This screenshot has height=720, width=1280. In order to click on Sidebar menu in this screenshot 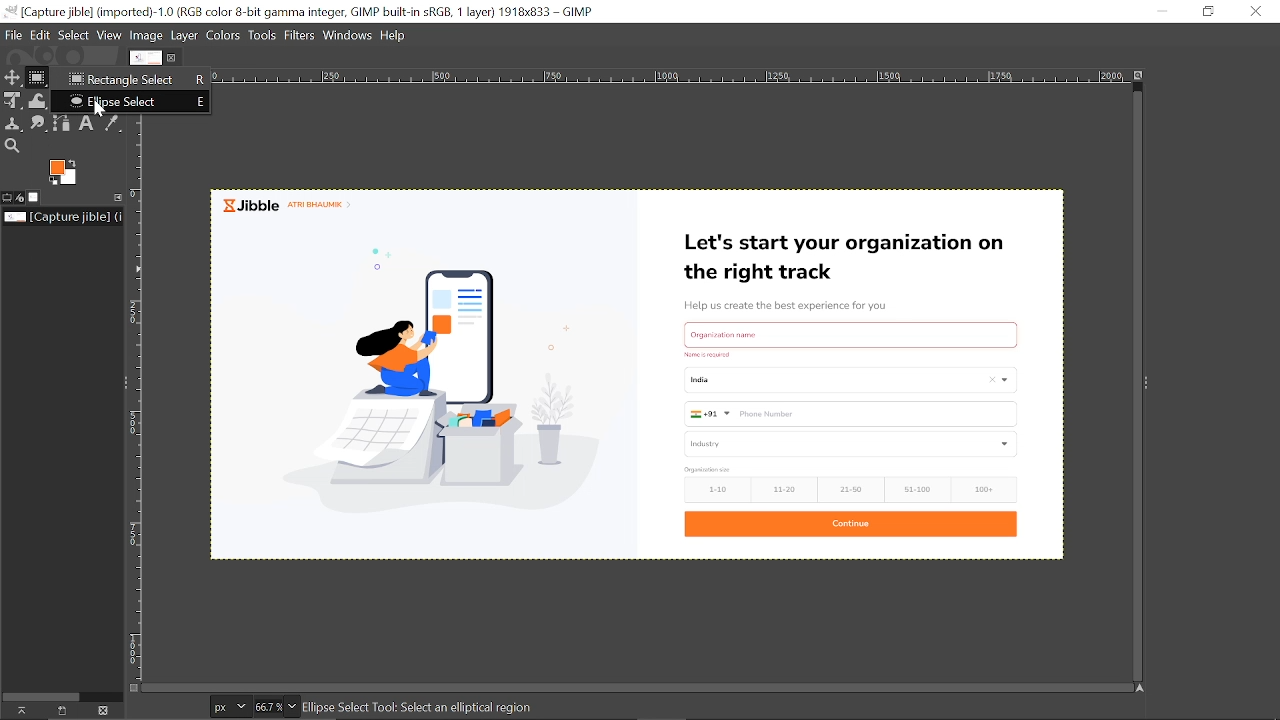, I will do `click(1156, 386)`.